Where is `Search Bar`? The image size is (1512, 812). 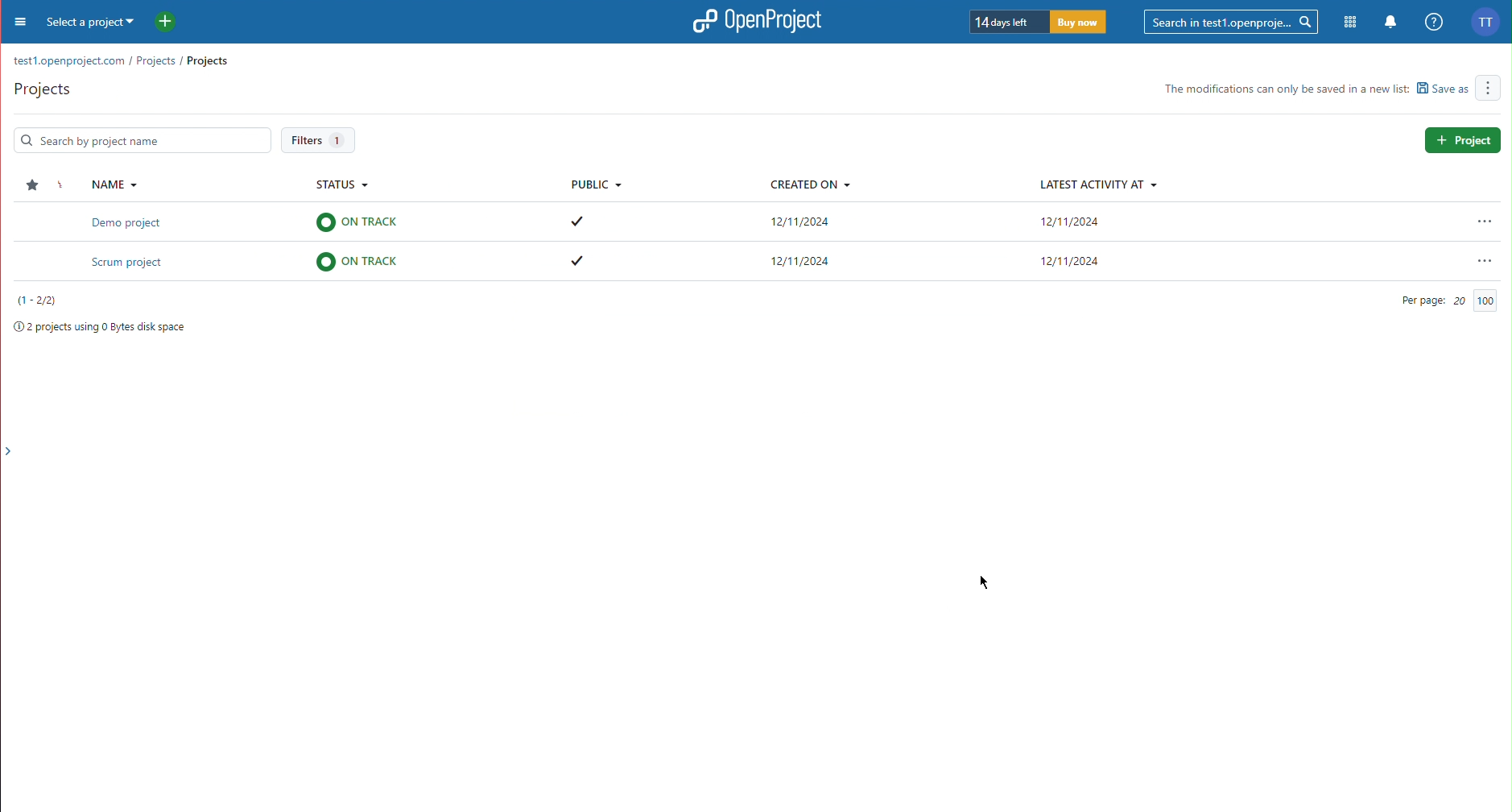
Search Bar is located at coordinates (140, 138).